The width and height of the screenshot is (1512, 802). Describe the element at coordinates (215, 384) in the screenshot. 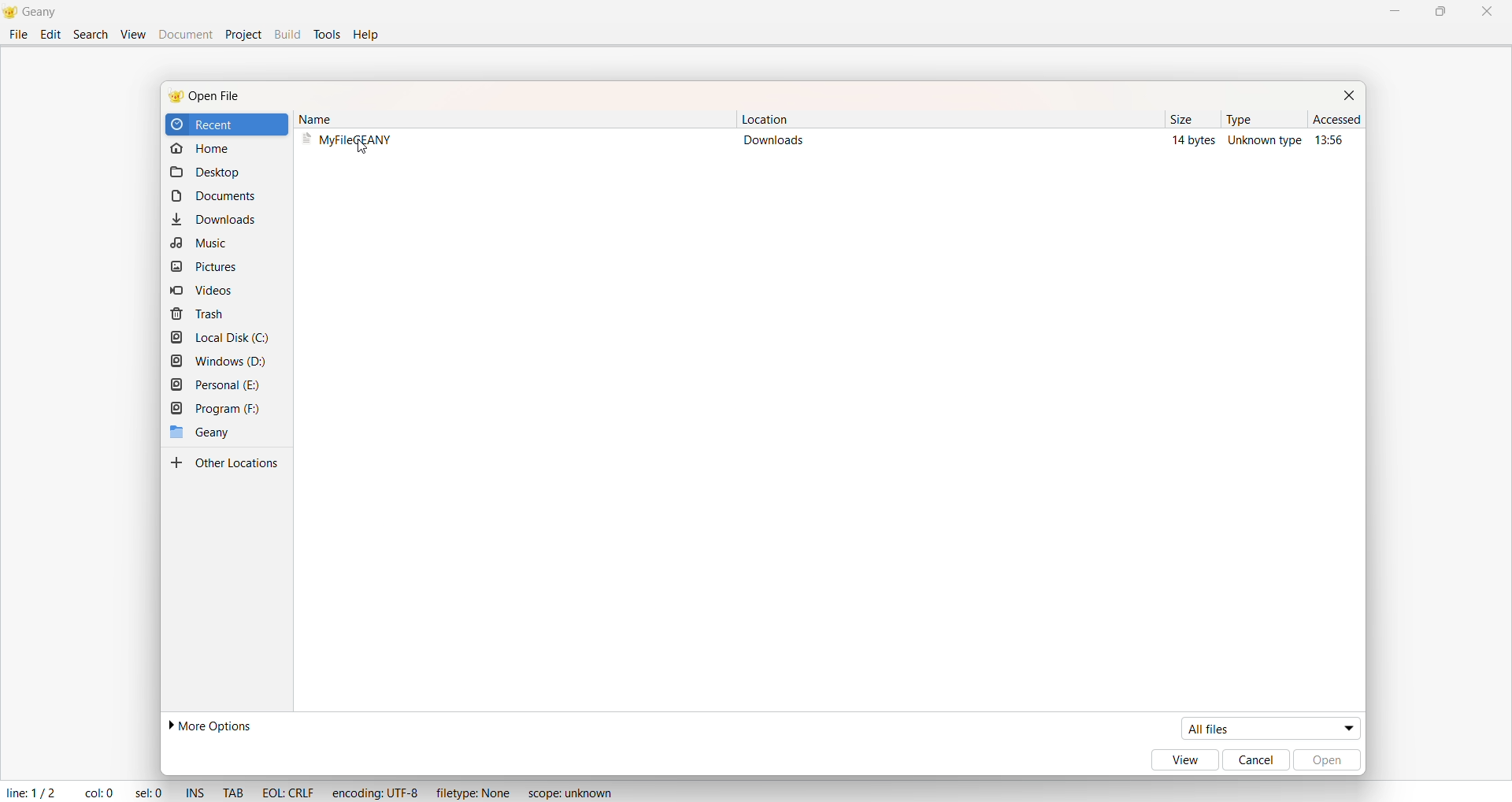

I see `personal E` at that location.